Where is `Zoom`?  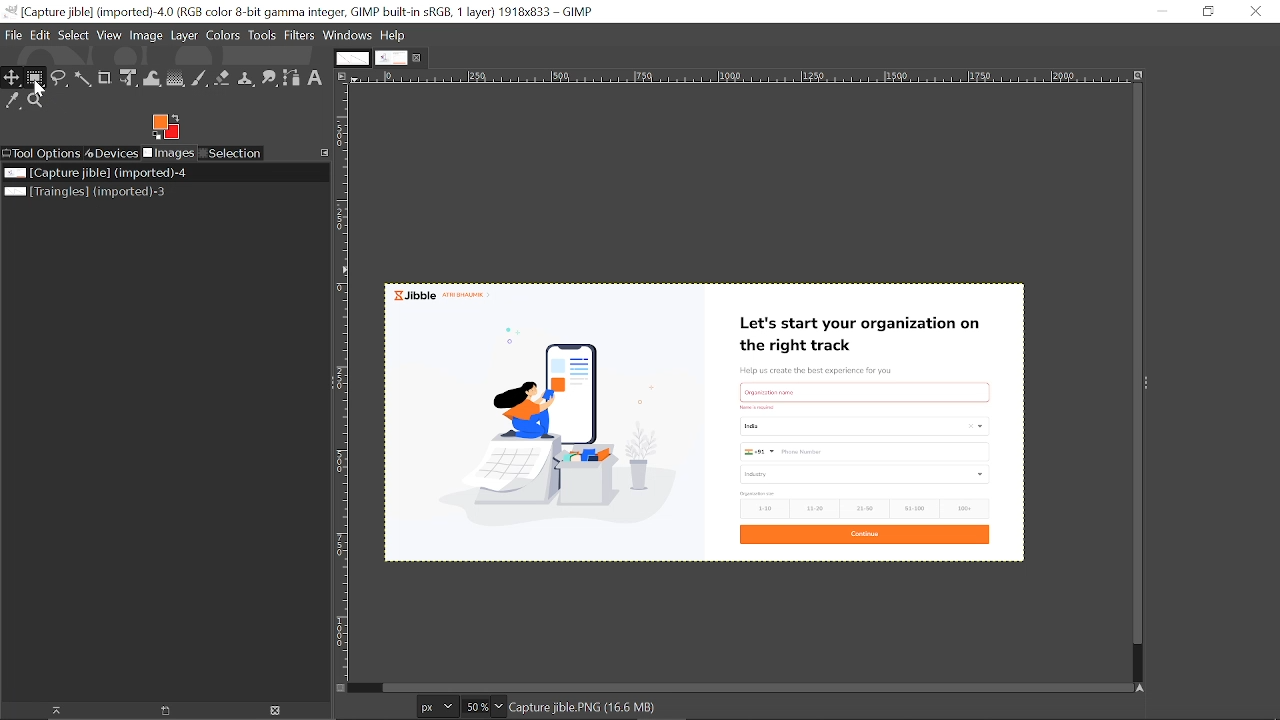 Zoom is located at coordinates (35, 103).